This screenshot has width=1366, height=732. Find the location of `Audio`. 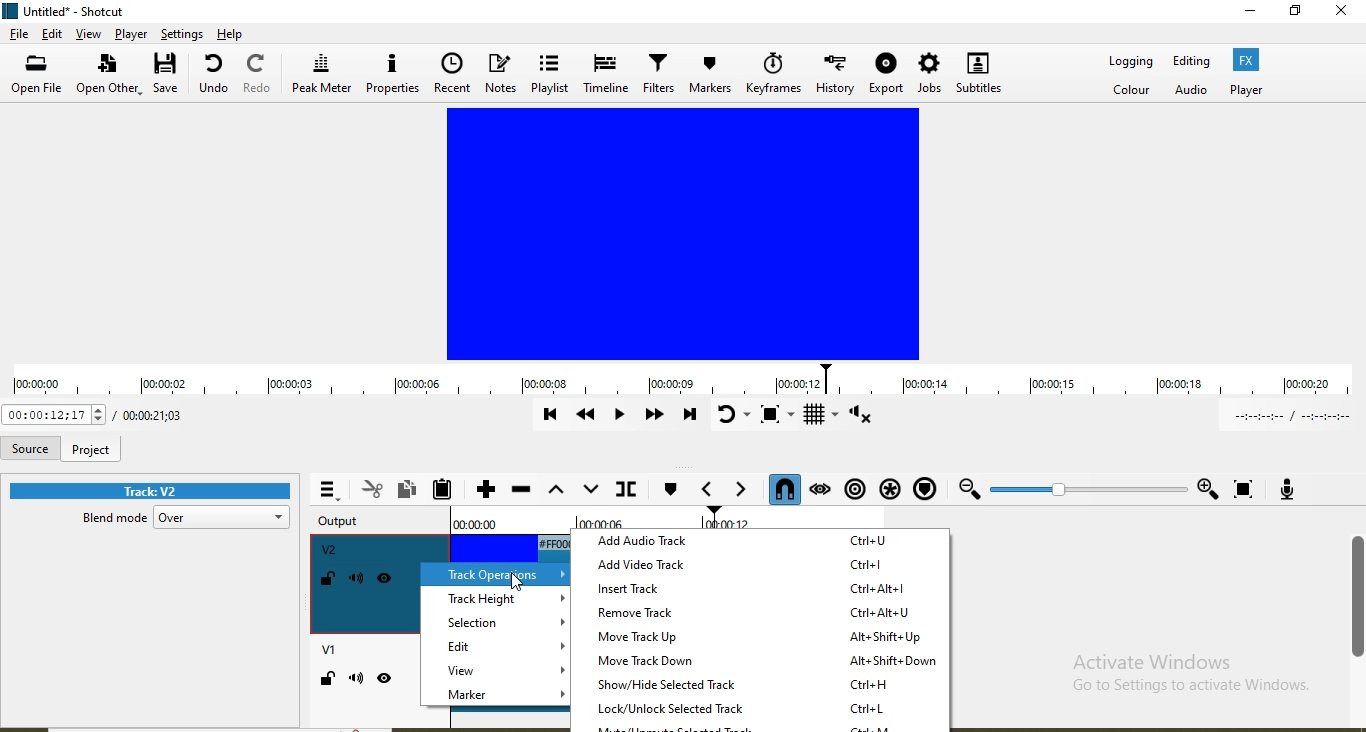

Audio is located at coordinates (1190, 88).